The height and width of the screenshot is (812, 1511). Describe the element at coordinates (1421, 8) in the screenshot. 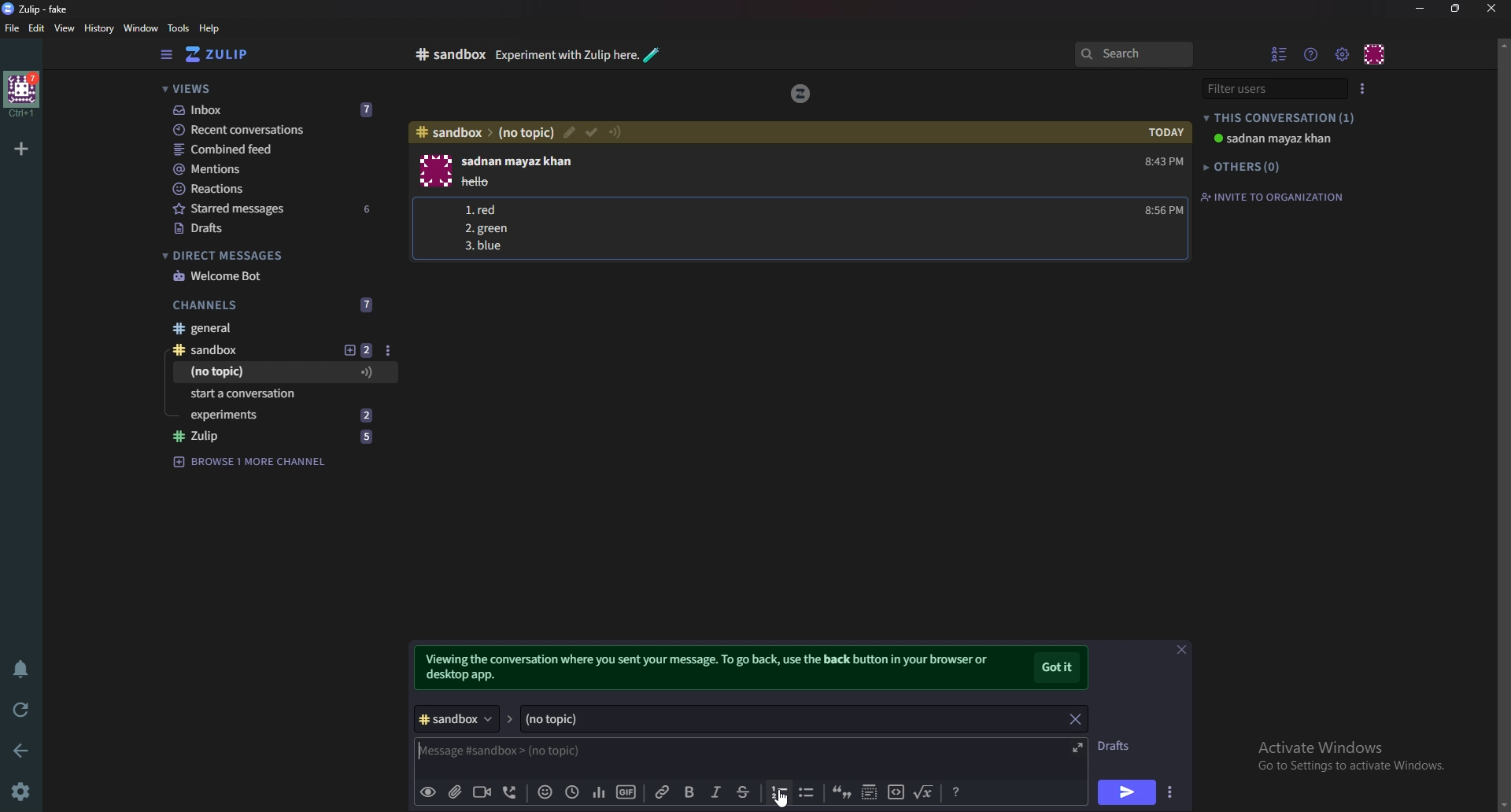

I see `Minimize` at that location.